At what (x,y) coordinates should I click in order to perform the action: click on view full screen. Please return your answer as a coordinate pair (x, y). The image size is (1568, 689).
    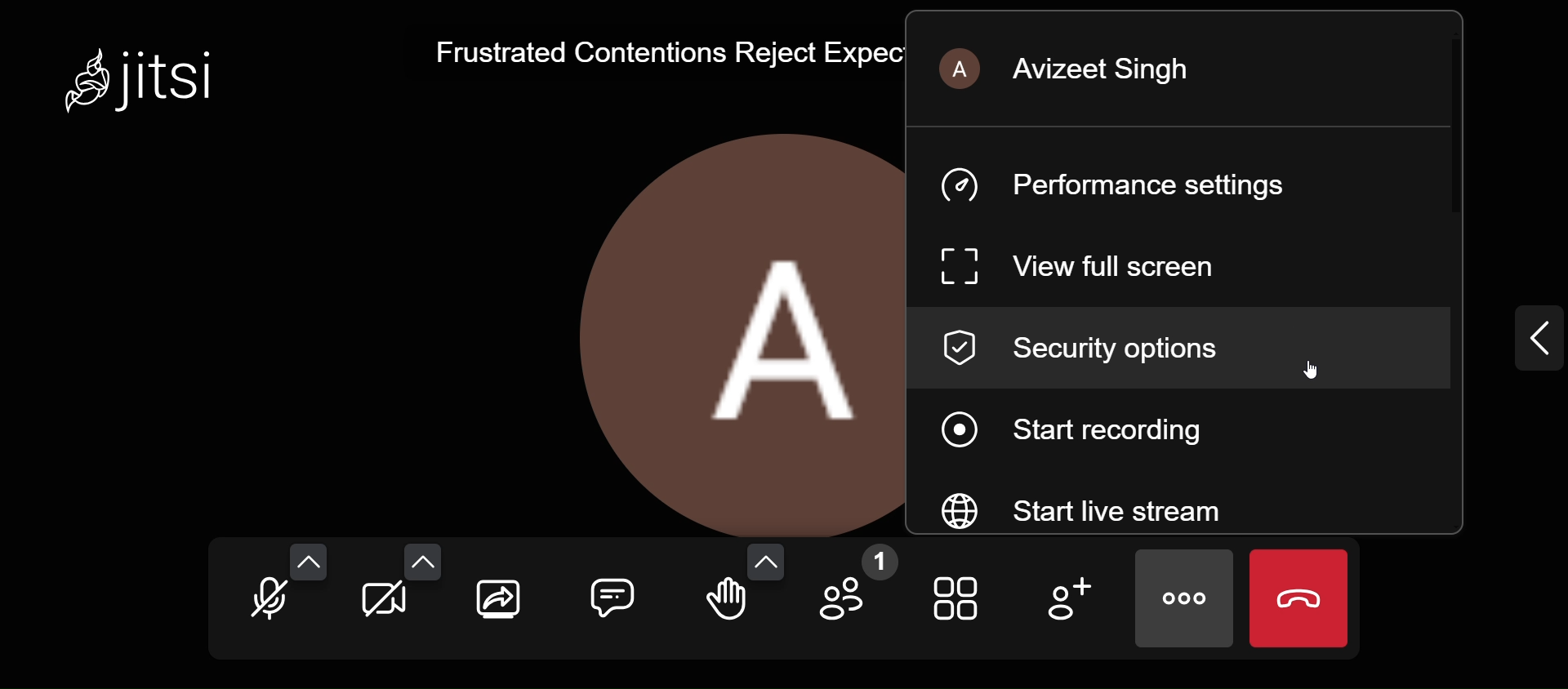
    Looking at the image, I should click on (1089, 264).